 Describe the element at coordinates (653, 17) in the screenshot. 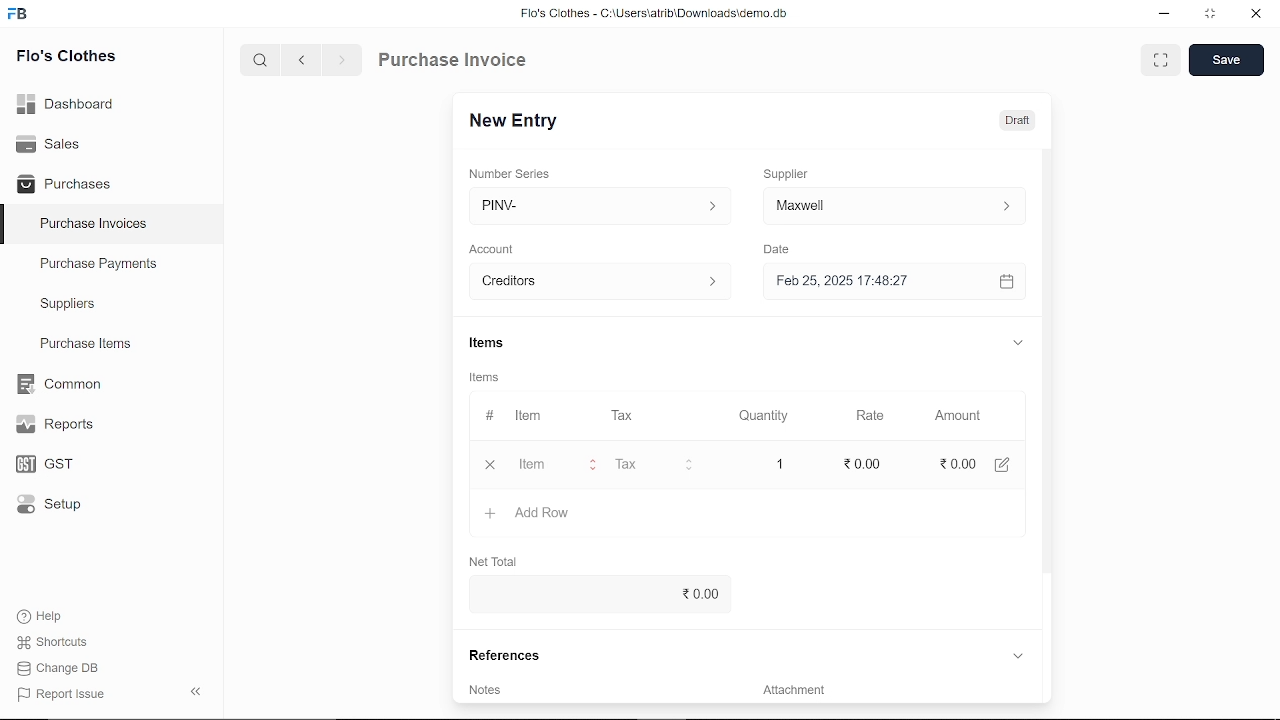

I see `Flo's Clothes - C:\Users\alrib\Downioads'cemo.db.` at that location.